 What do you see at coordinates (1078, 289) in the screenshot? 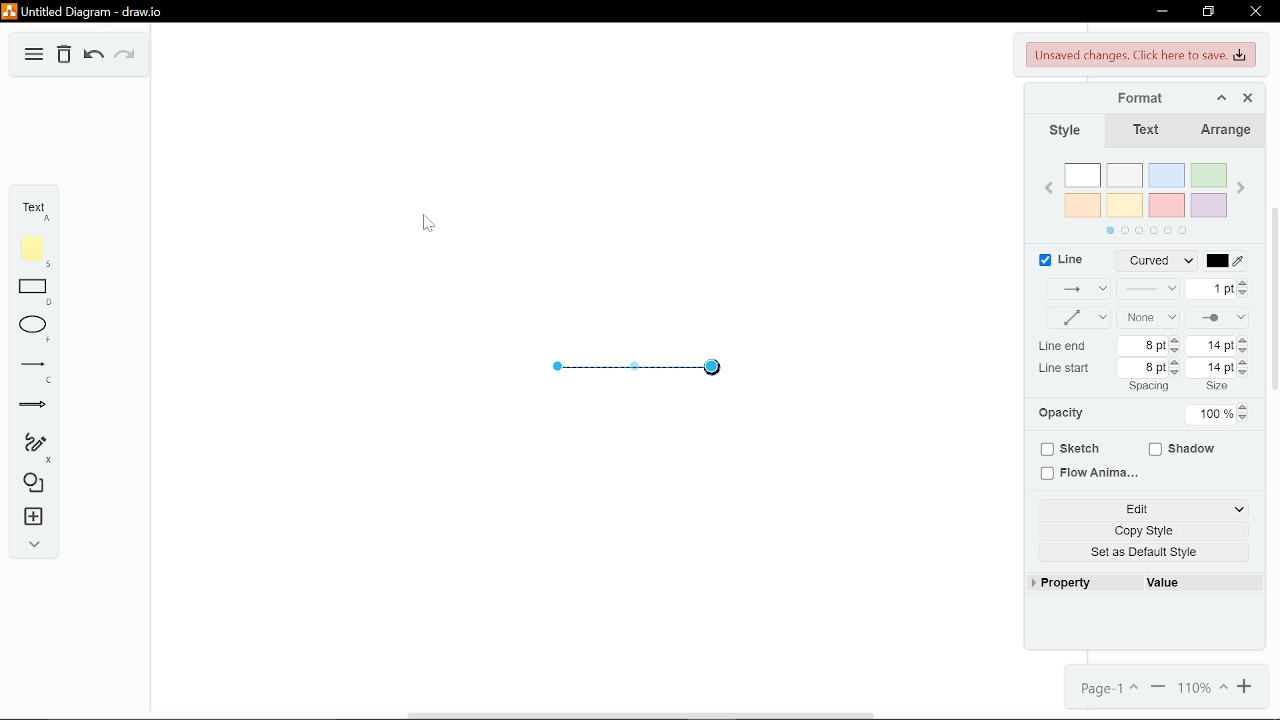
I see `Connection` at bounding box center [1078, 289].